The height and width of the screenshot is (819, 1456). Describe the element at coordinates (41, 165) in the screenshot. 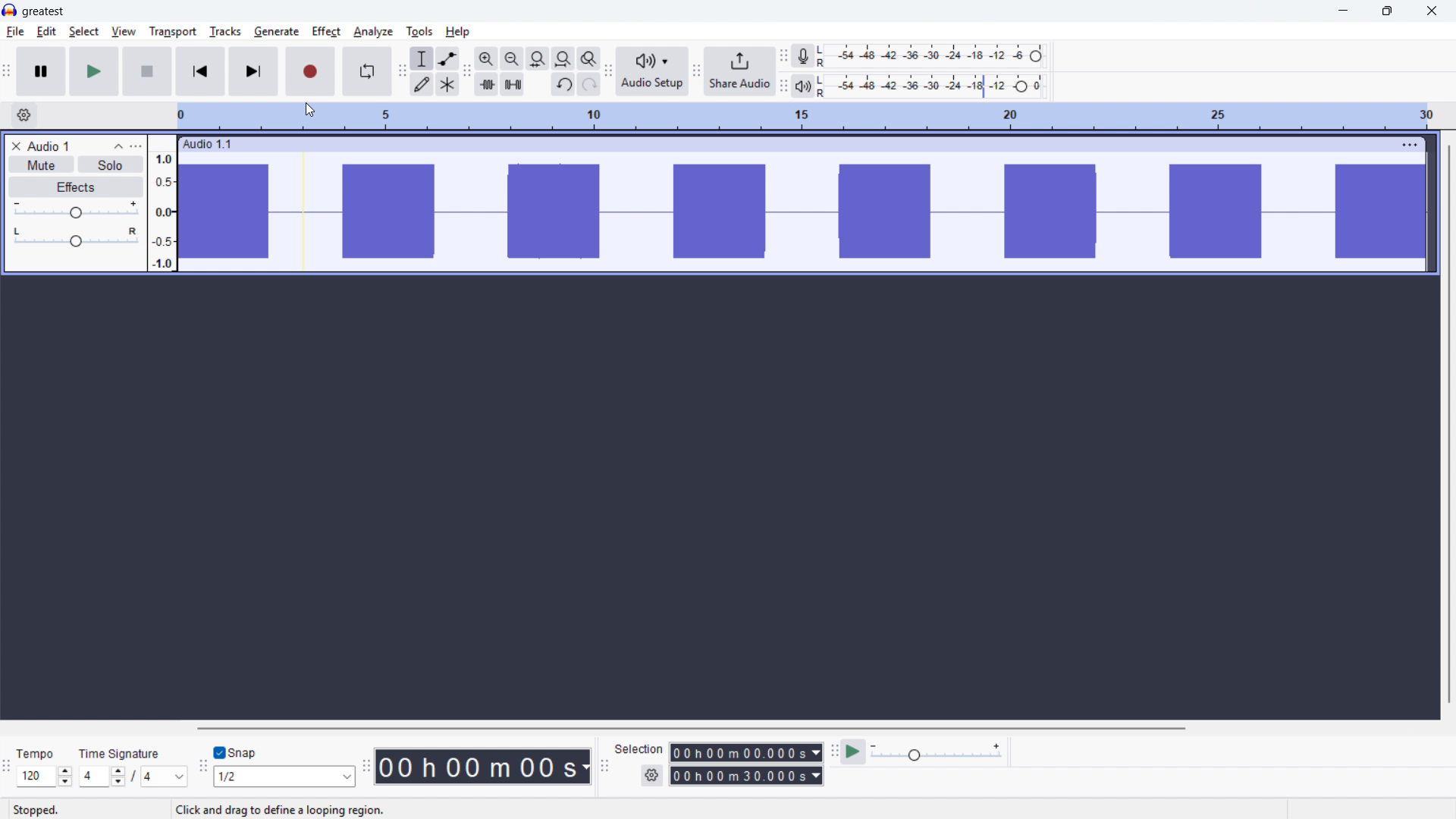

I see `mute ` at that location.